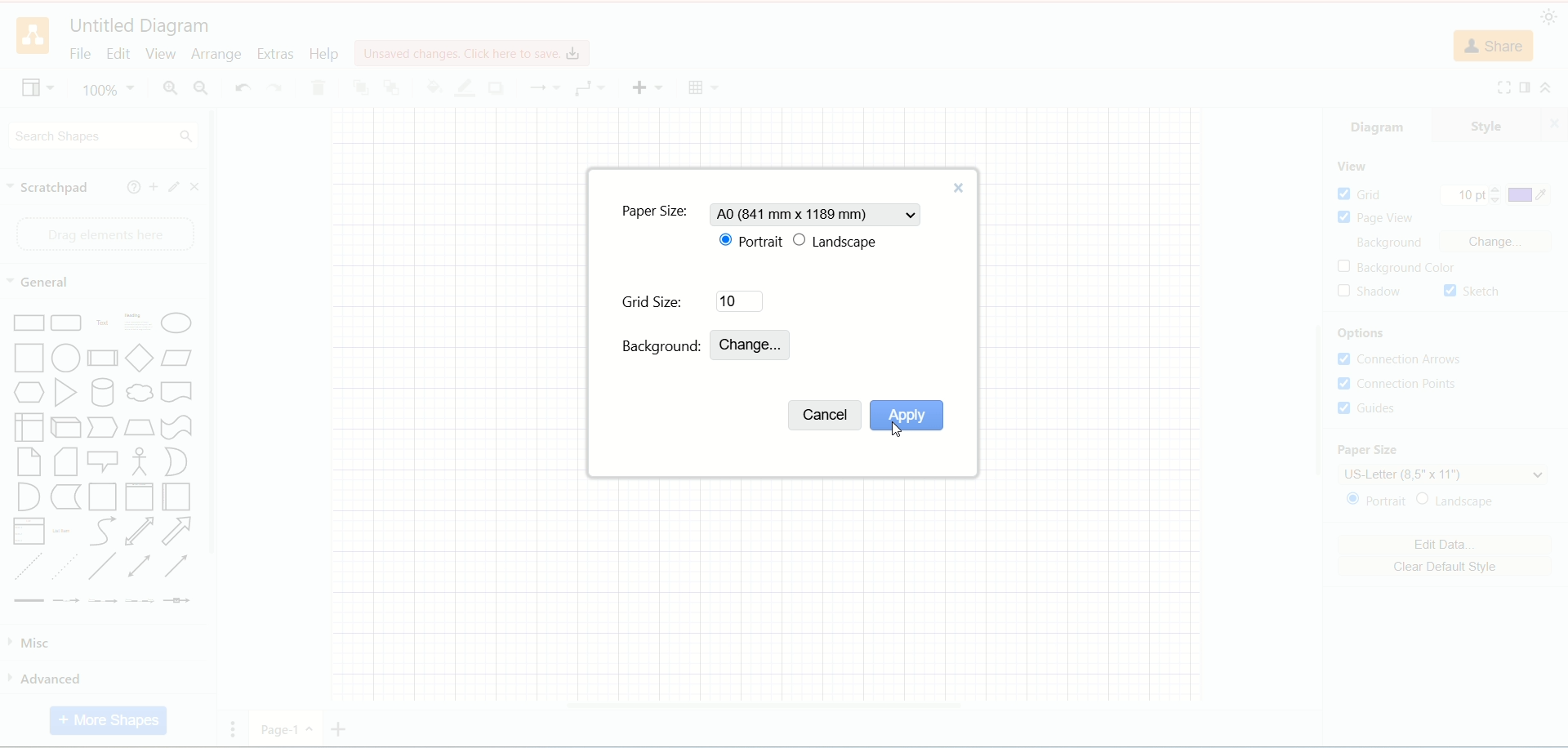  Describe the element at coordinates (143, 567) in the screenshot. I see `Bidirectional Connector` at that location.